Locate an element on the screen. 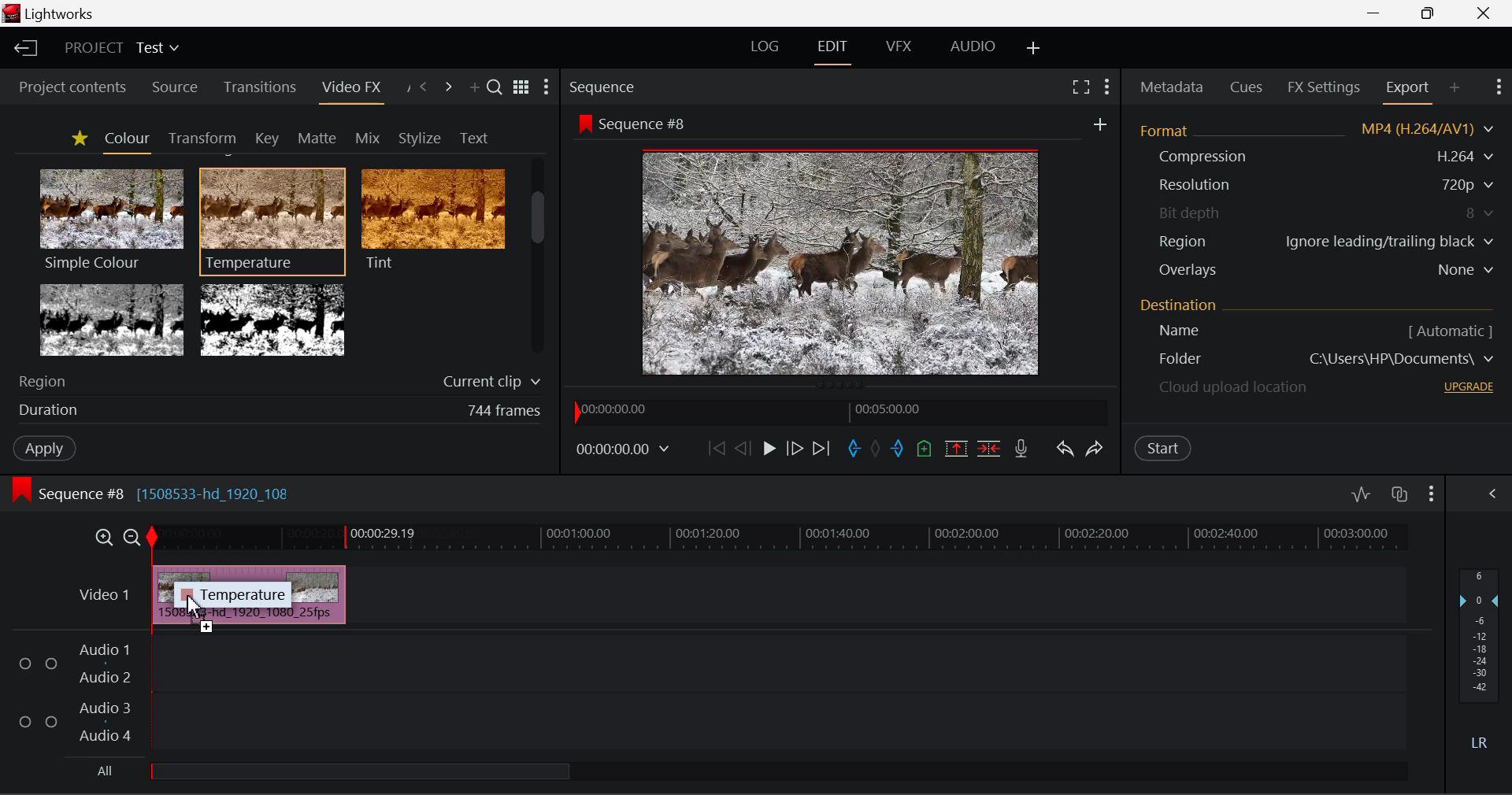  Audio 4 is located at coordinates (102, 733).